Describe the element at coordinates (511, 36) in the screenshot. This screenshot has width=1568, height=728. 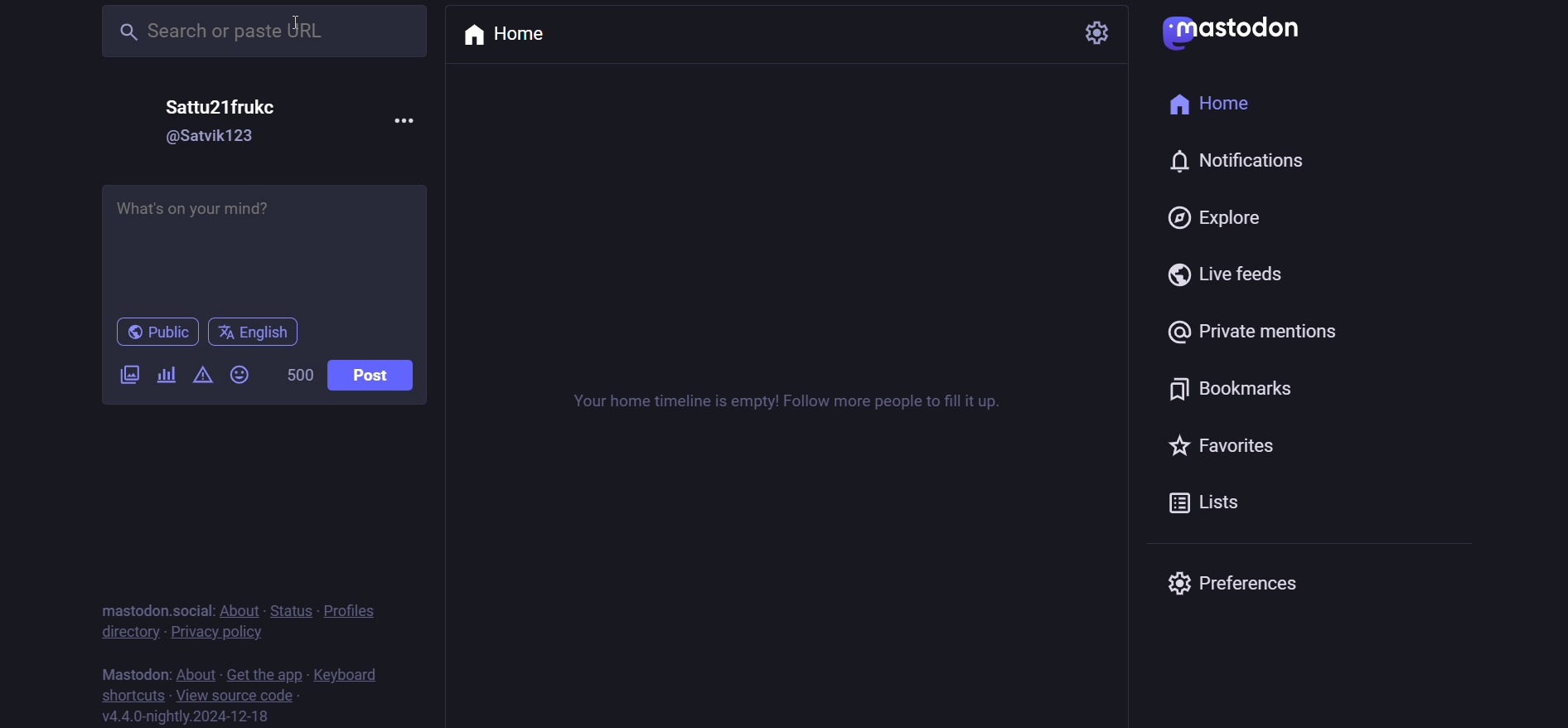
I see `home` at that location.